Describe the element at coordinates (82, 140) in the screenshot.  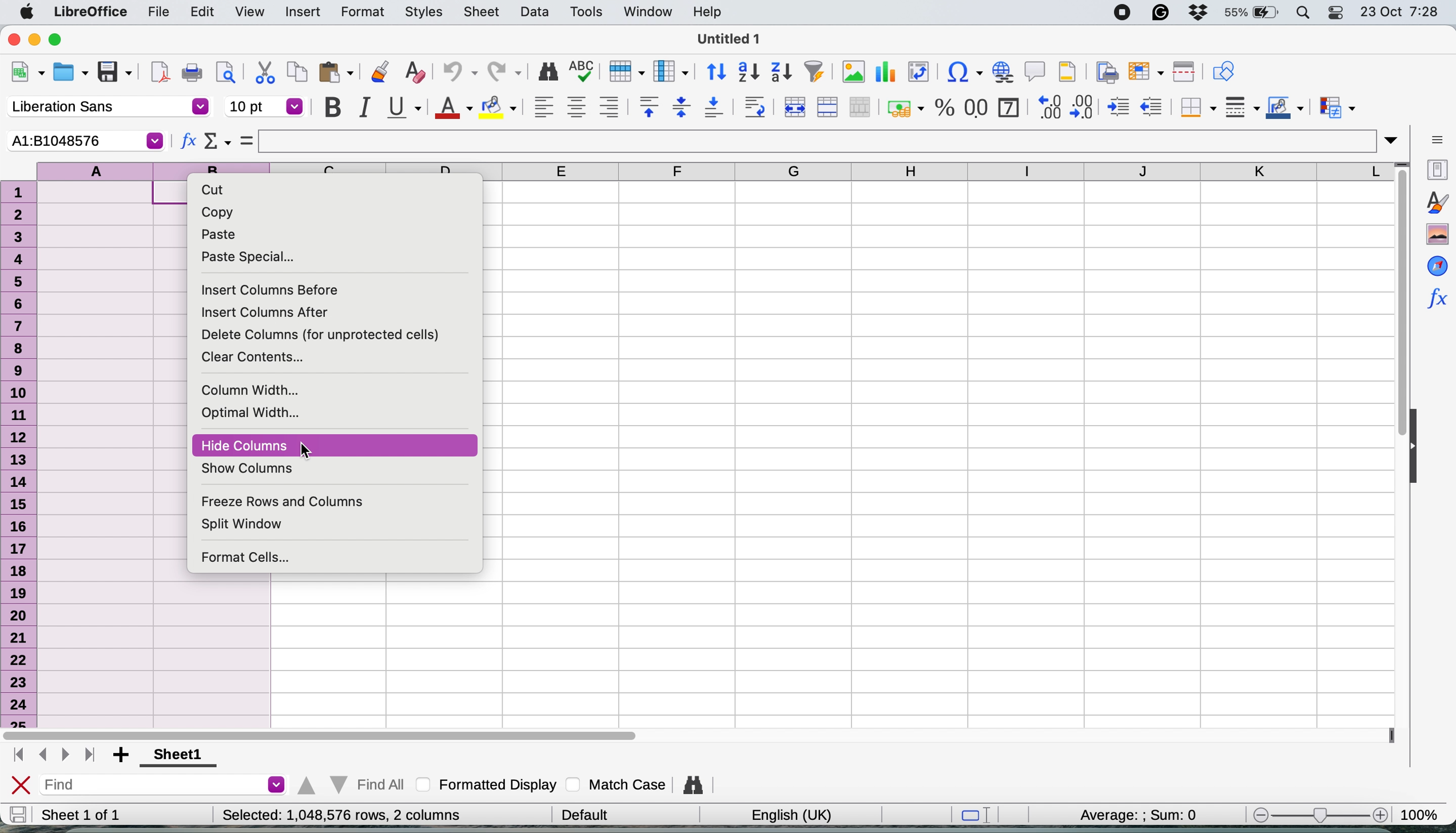
I see `current cell selection` at that location.